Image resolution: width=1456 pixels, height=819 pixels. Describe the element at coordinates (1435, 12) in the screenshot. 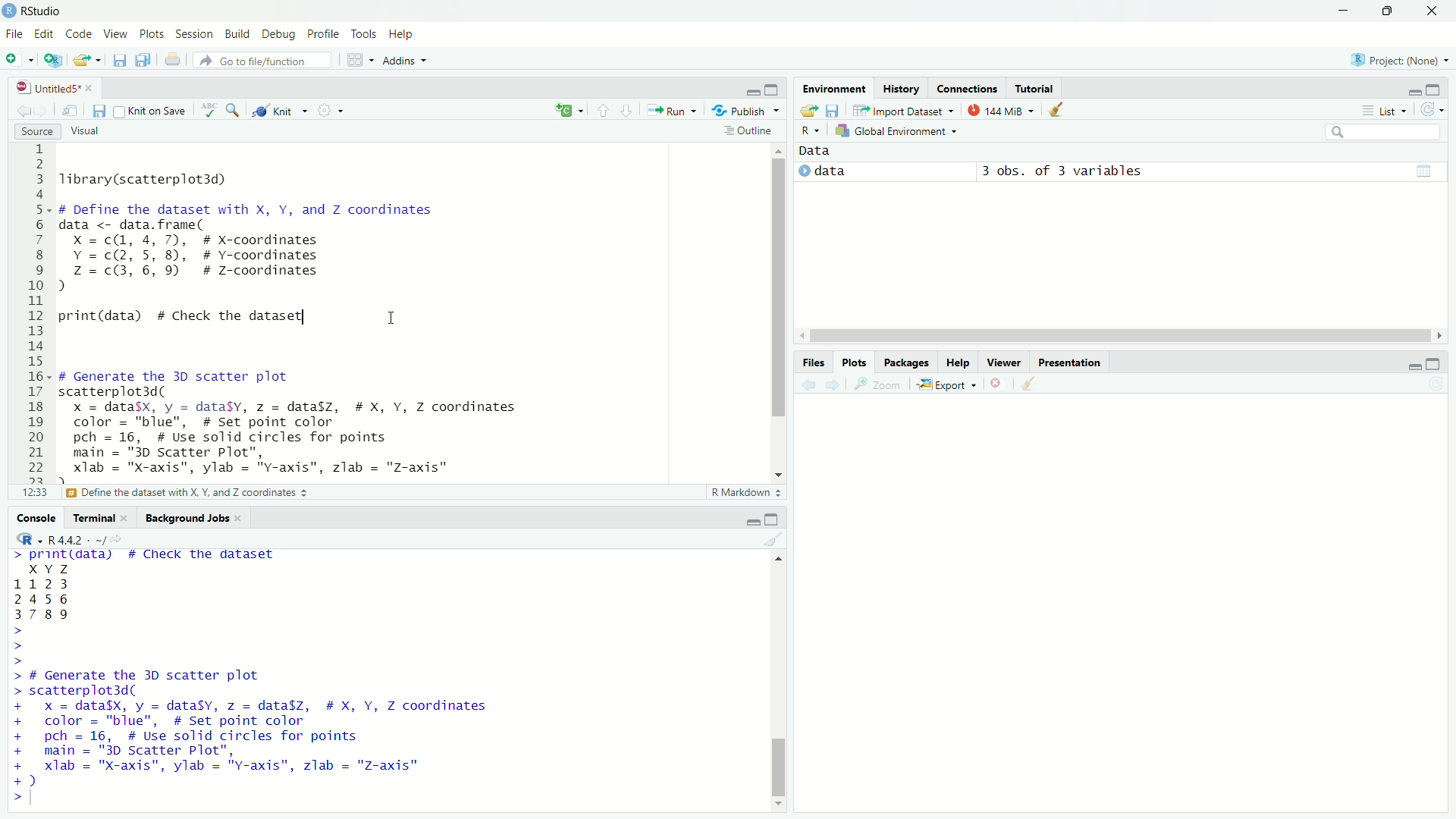

I see `close` at that location.